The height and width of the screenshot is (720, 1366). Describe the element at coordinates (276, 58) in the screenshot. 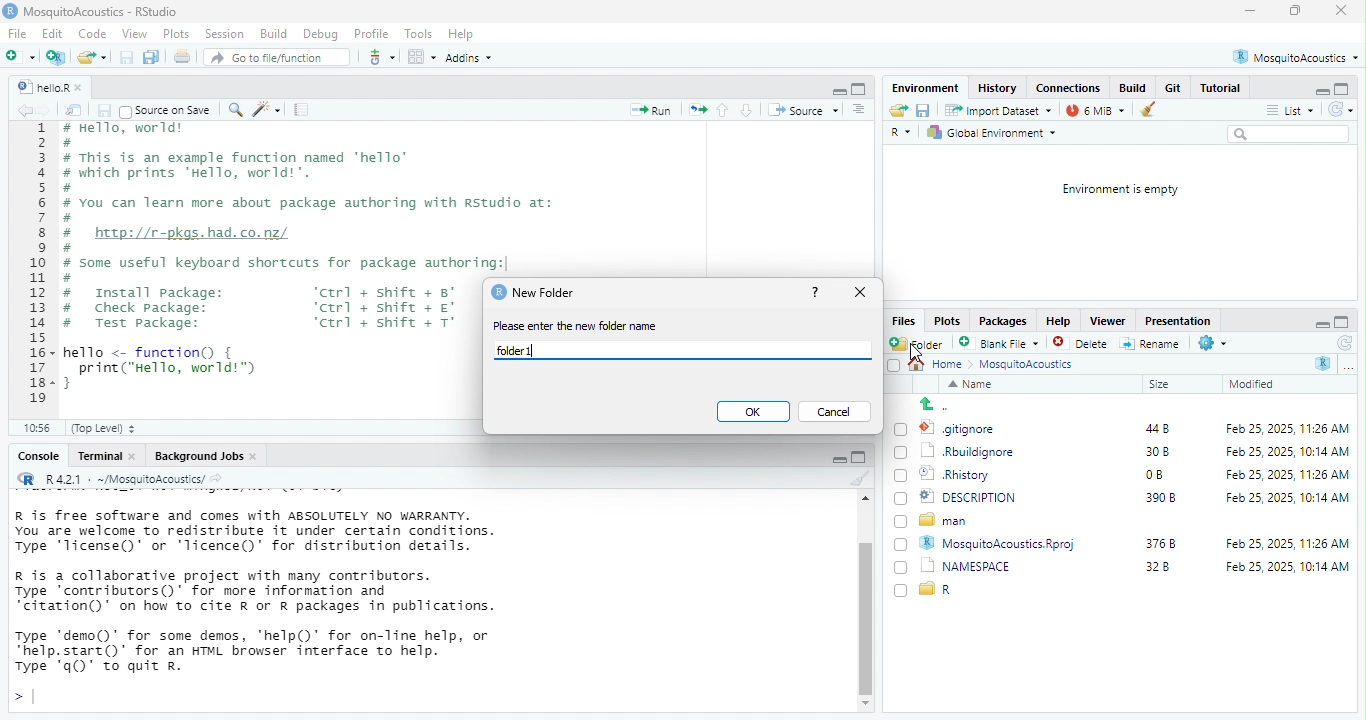

I see ` Go to file/function` at that location.